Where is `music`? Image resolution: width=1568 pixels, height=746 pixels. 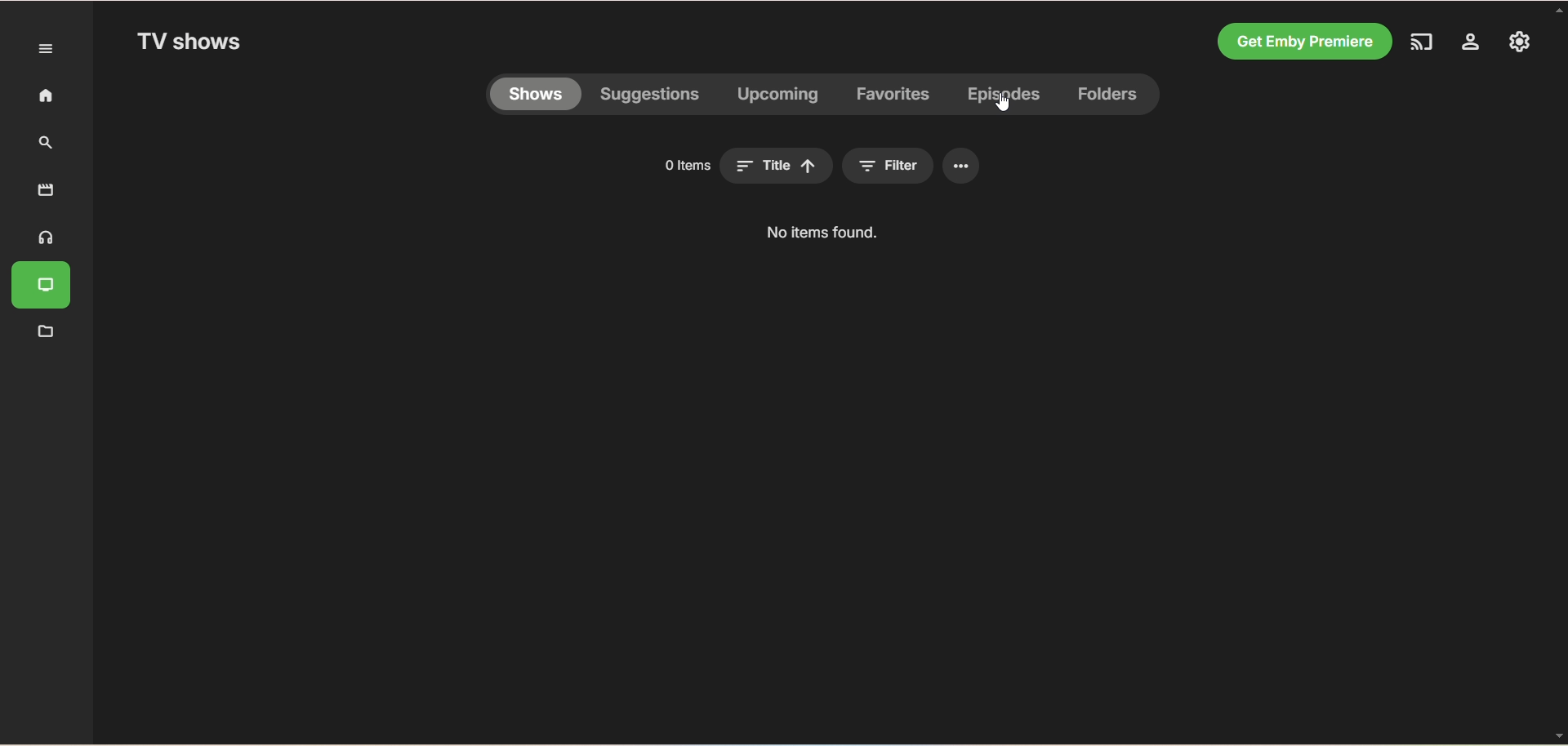
music is located at coordinates (42, 238).